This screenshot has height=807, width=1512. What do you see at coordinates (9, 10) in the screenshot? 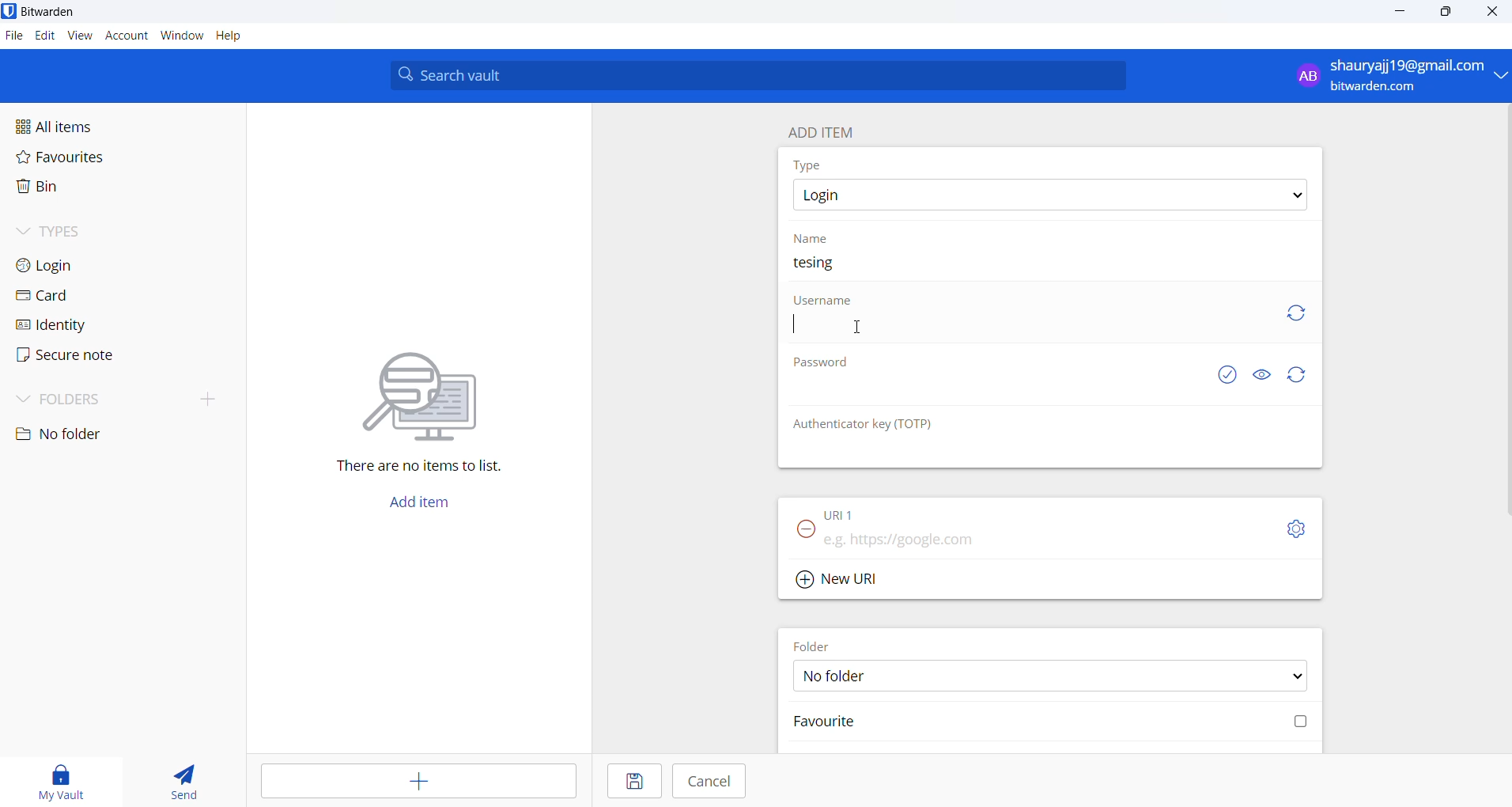
I see `application logo` at bounding box center [9, 10].